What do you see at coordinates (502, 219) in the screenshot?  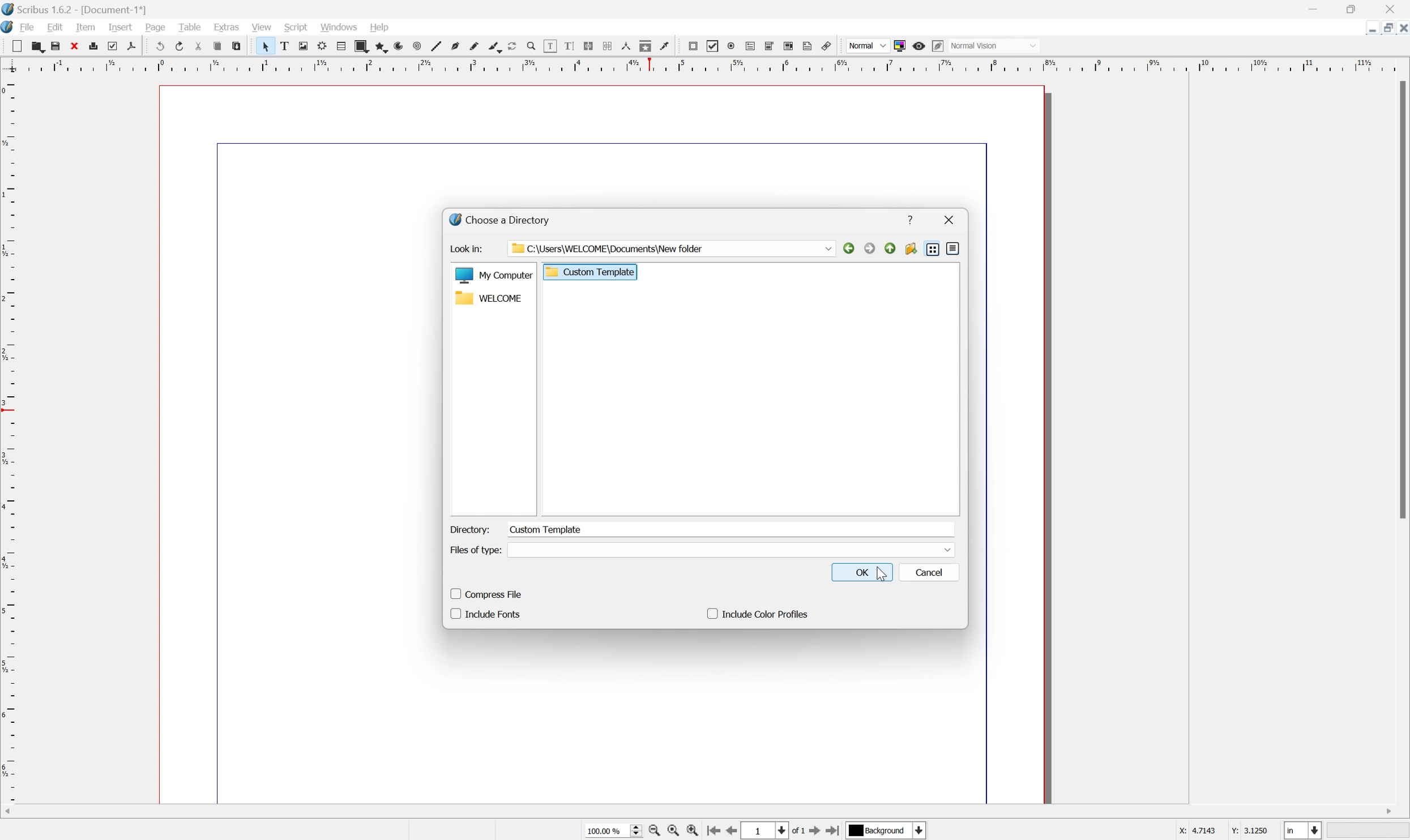 I see `choose a directory` at bounding box center [502, 219].